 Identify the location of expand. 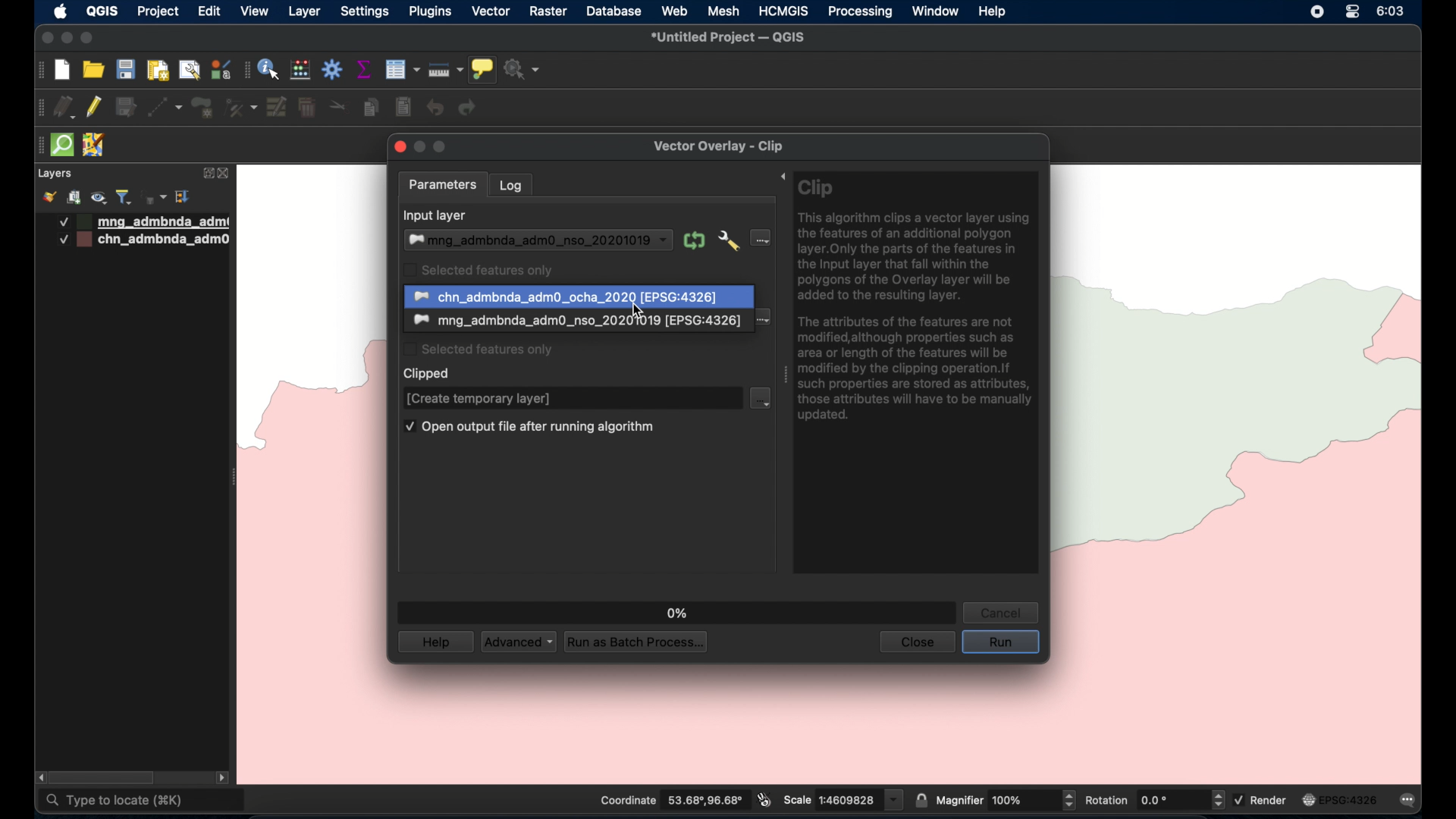
(206, 174).